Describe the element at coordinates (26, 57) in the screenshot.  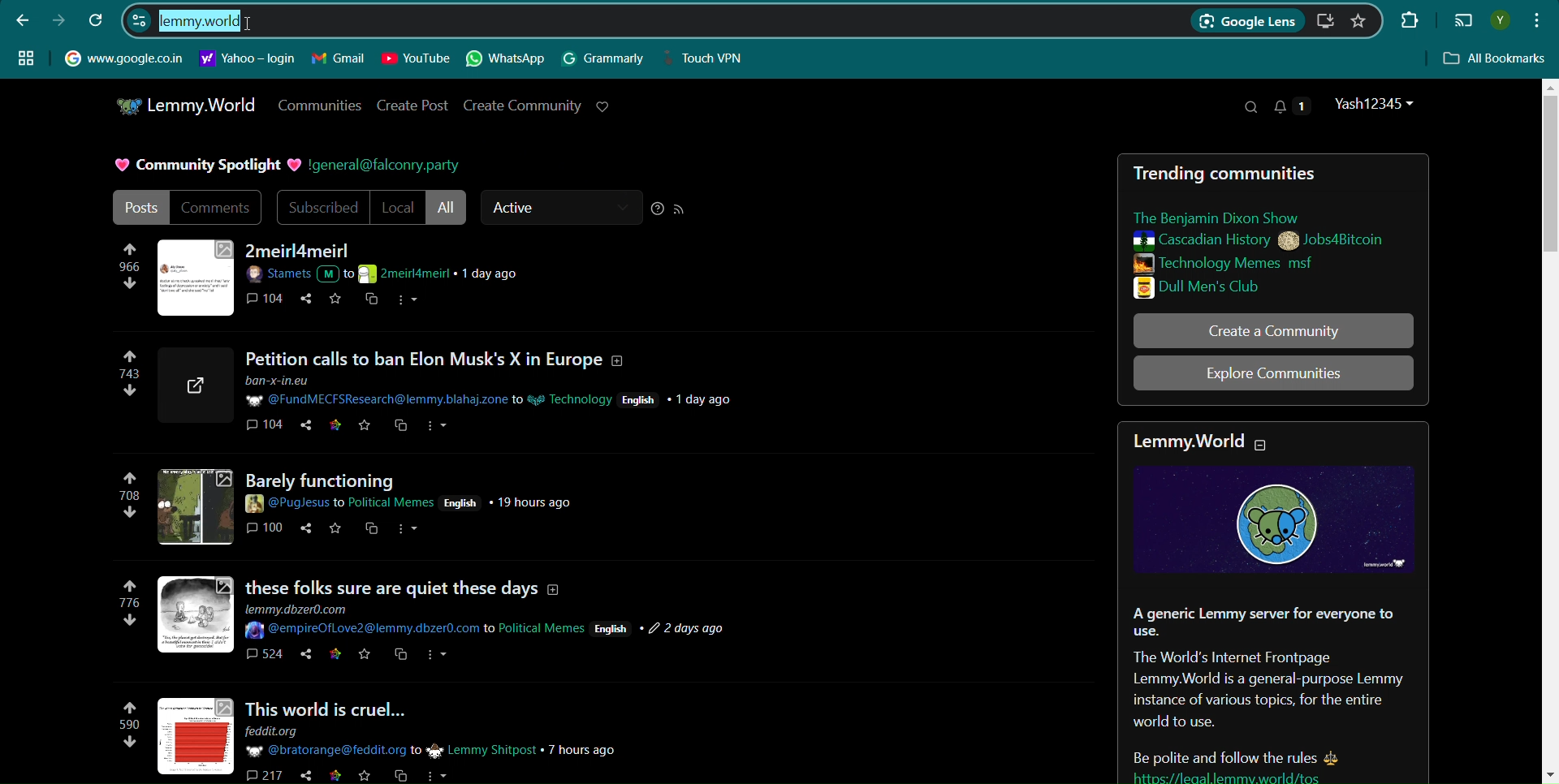
I see `Tag group` at that location.